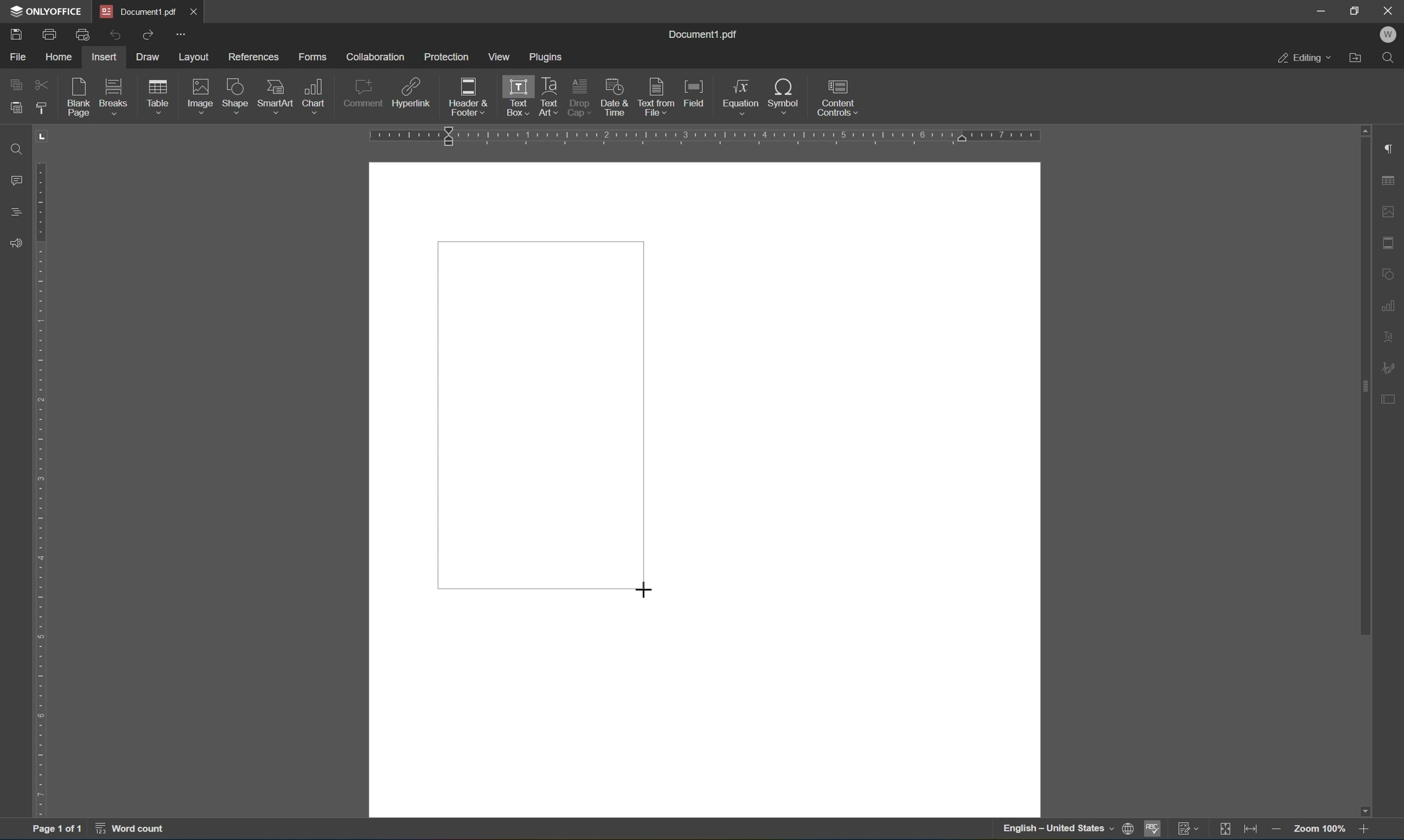 The height and width of the screenshot is (840, 1404). What do you see at coordinates (195, 11) in the screenshot?
I see `Close` at bounding box center [195, 11].